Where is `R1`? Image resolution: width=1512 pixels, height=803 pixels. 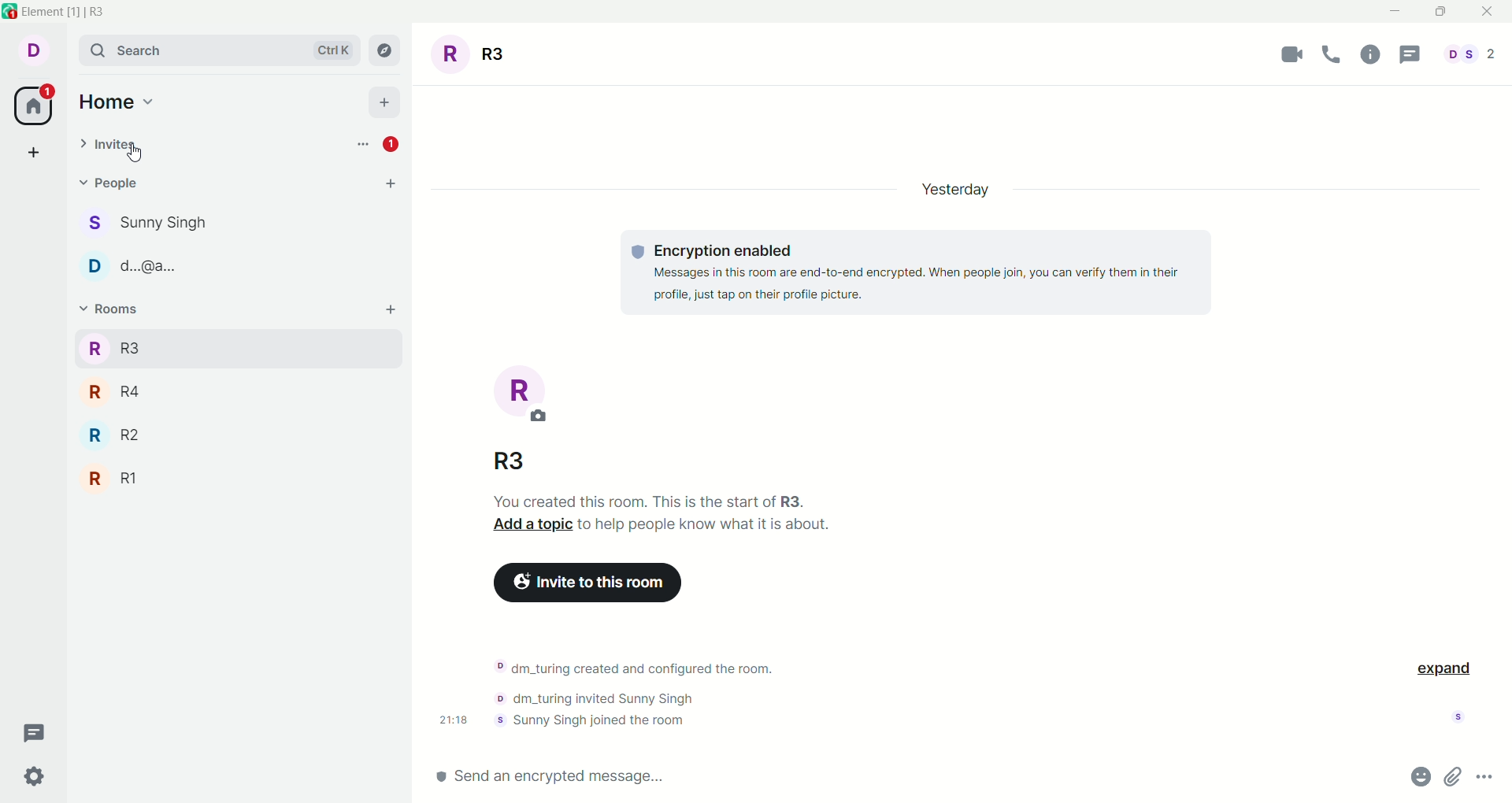
R1 is located at coordinates (233, 476).